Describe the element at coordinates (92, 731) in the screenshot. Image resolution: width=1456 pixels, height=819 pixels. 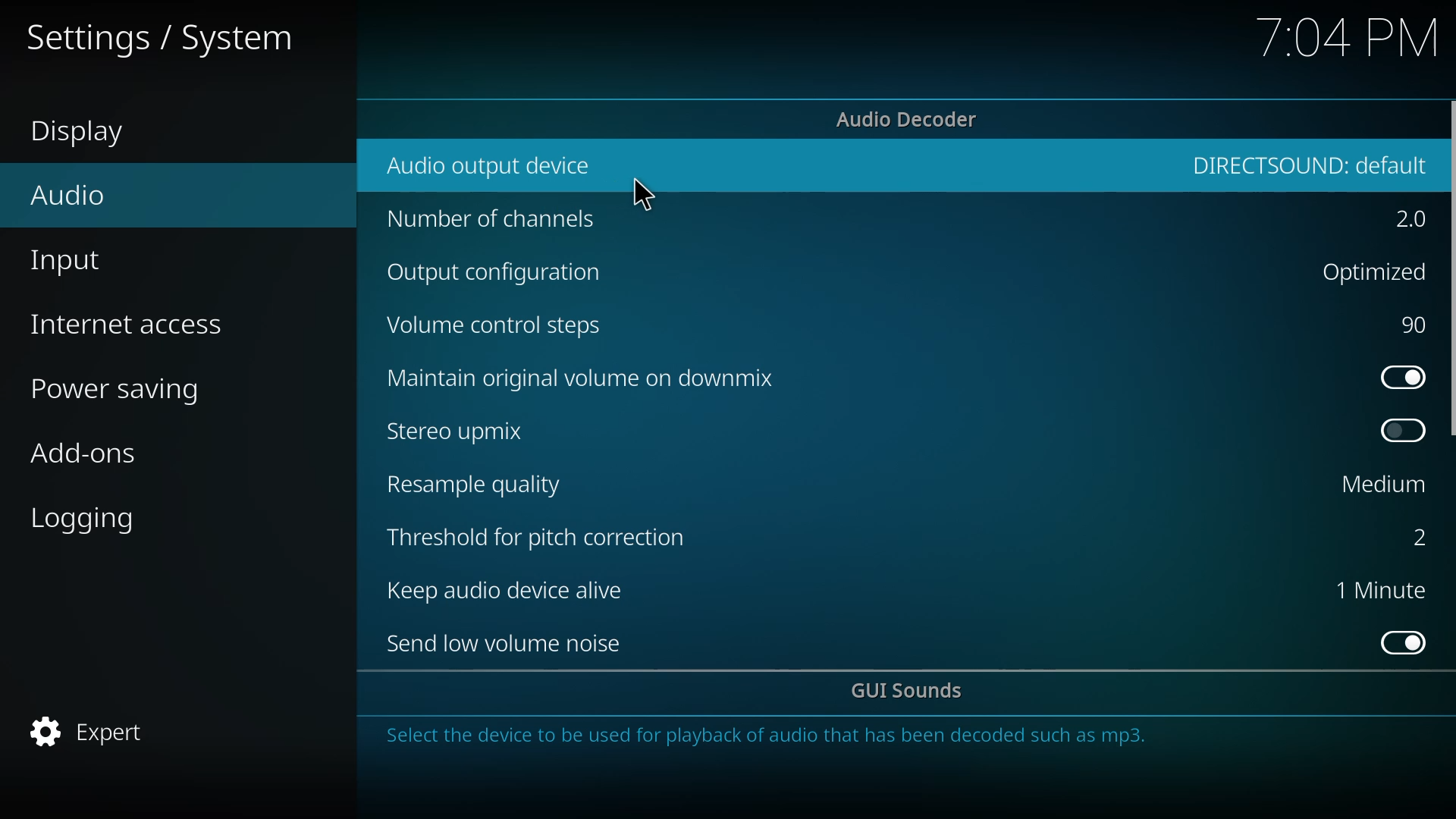
I see `expert` at that location.